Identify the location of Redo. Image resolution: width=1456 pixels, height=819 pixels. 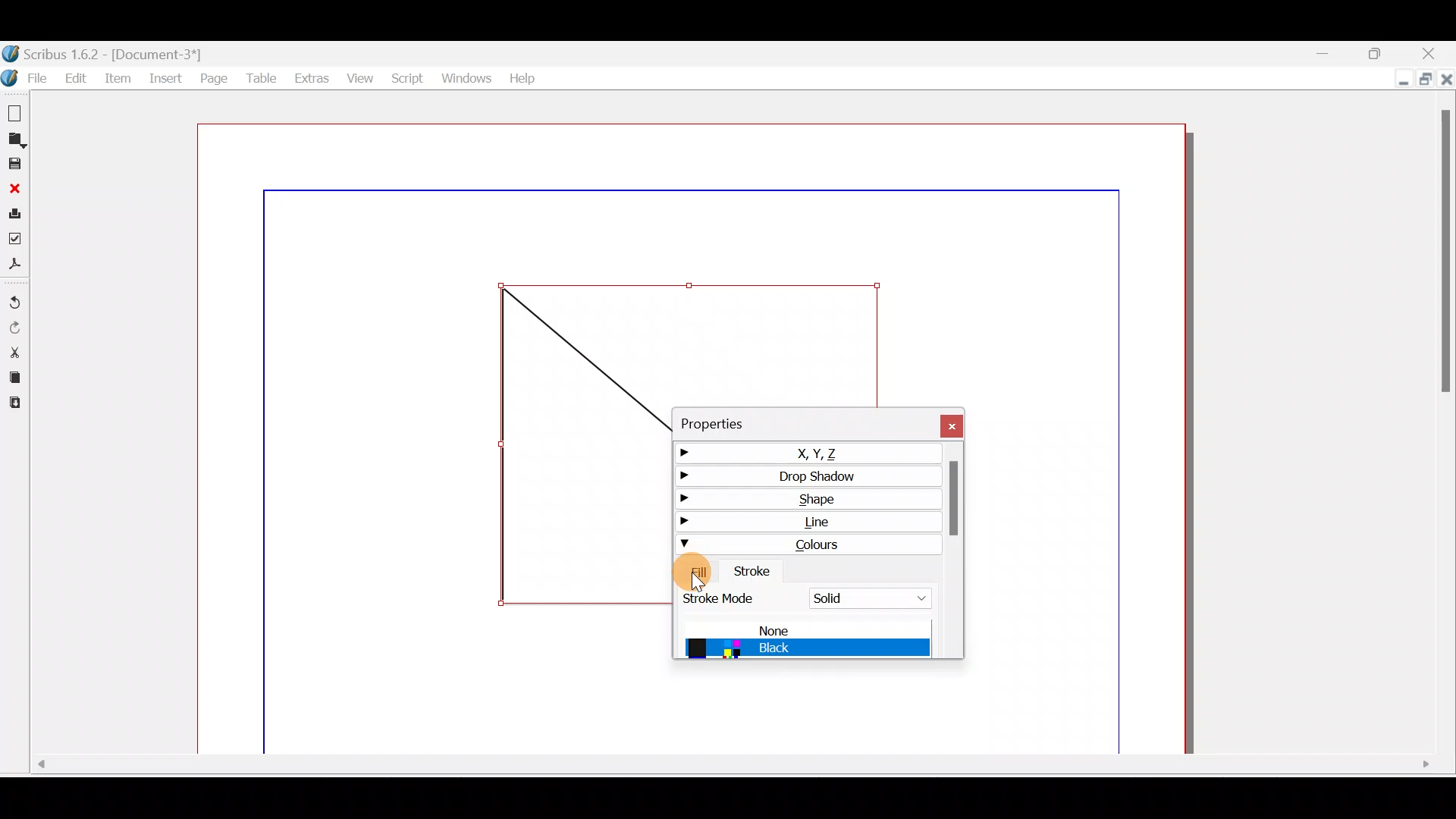
(17, 328).